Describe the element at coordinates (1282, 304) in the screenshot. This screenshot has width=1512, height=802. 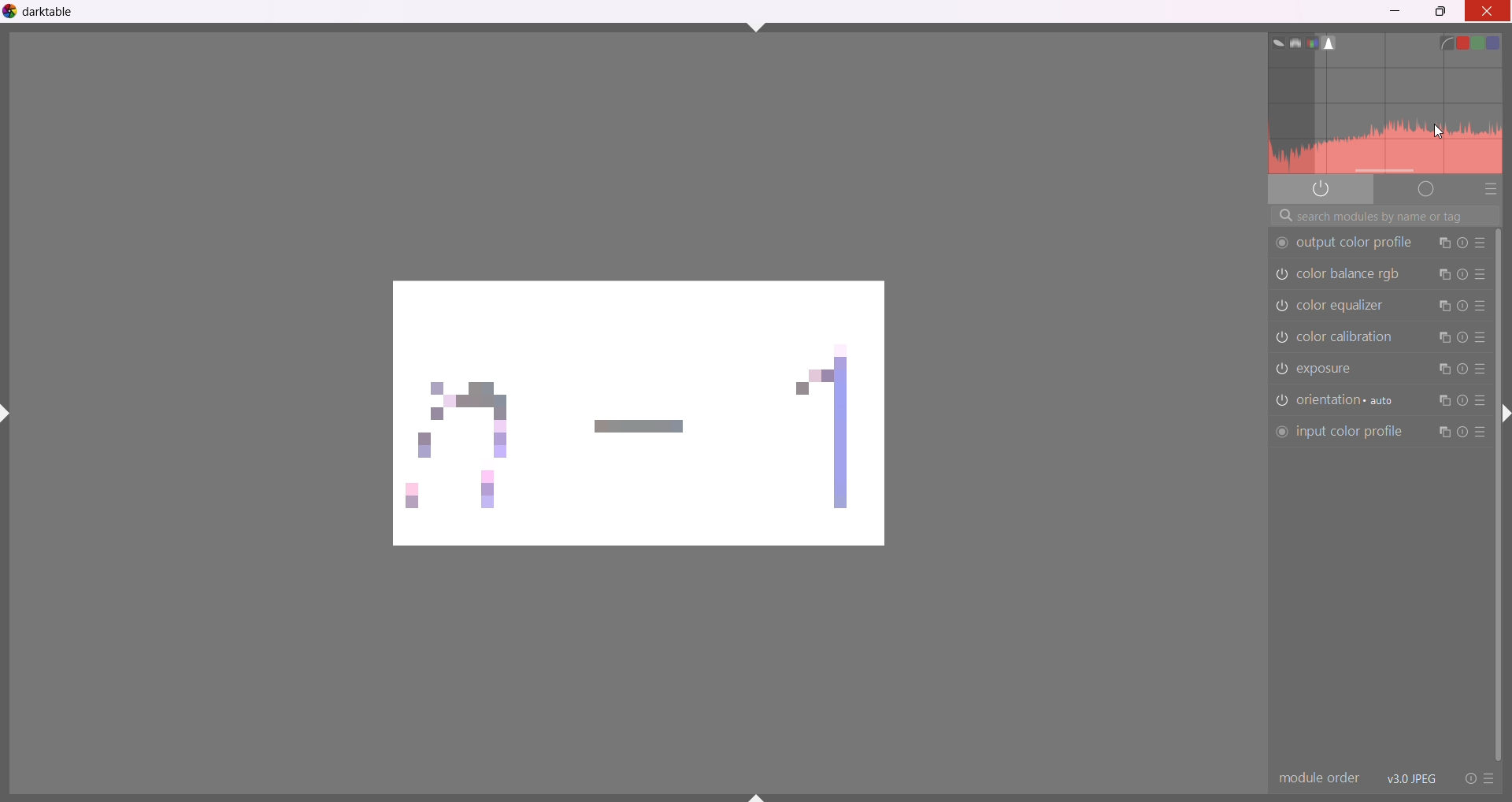
I see `color equalizer switched off` at that location.